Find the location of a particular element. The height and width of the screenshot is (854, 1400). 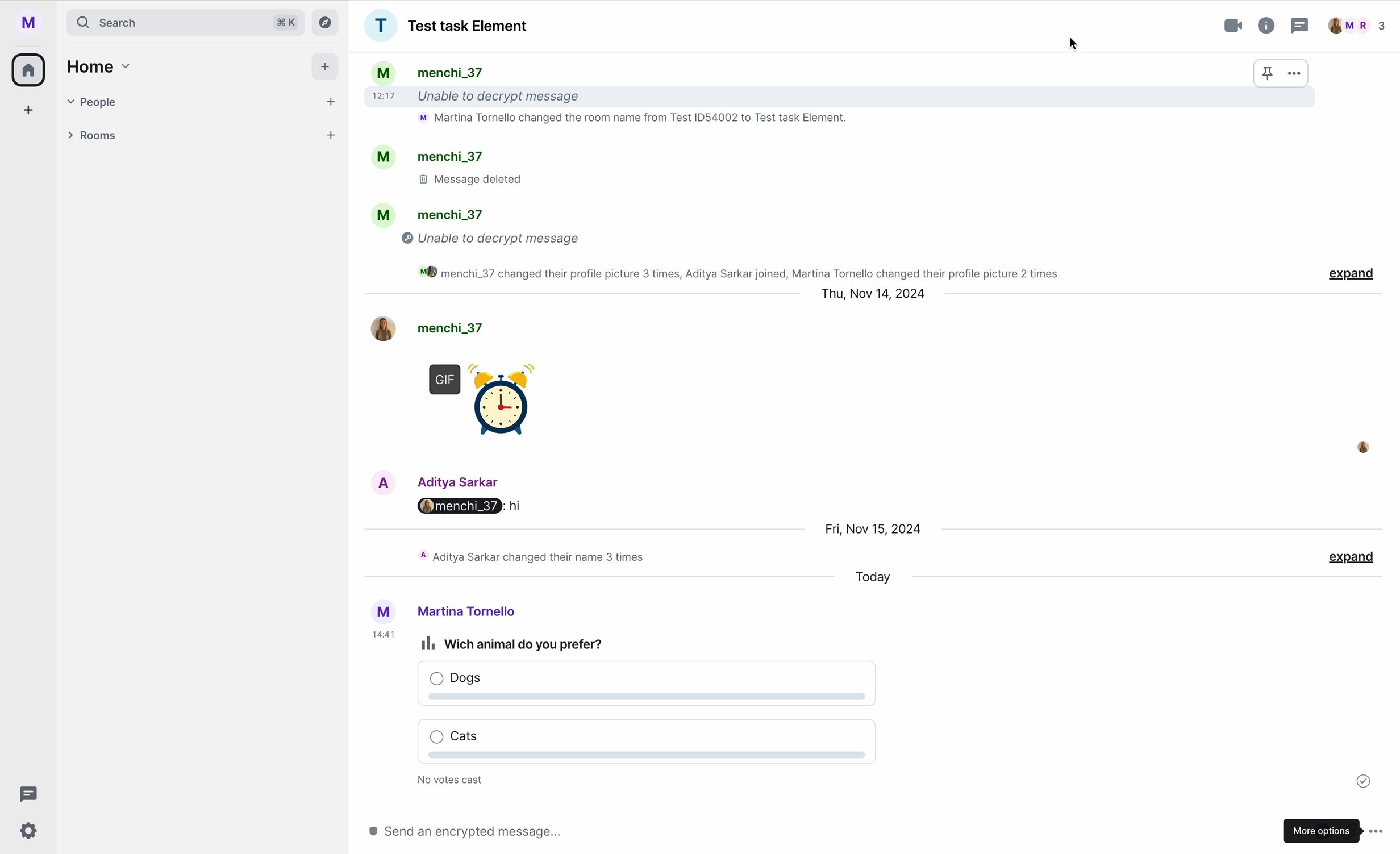

14:41 is located at coordinates (383, 636).